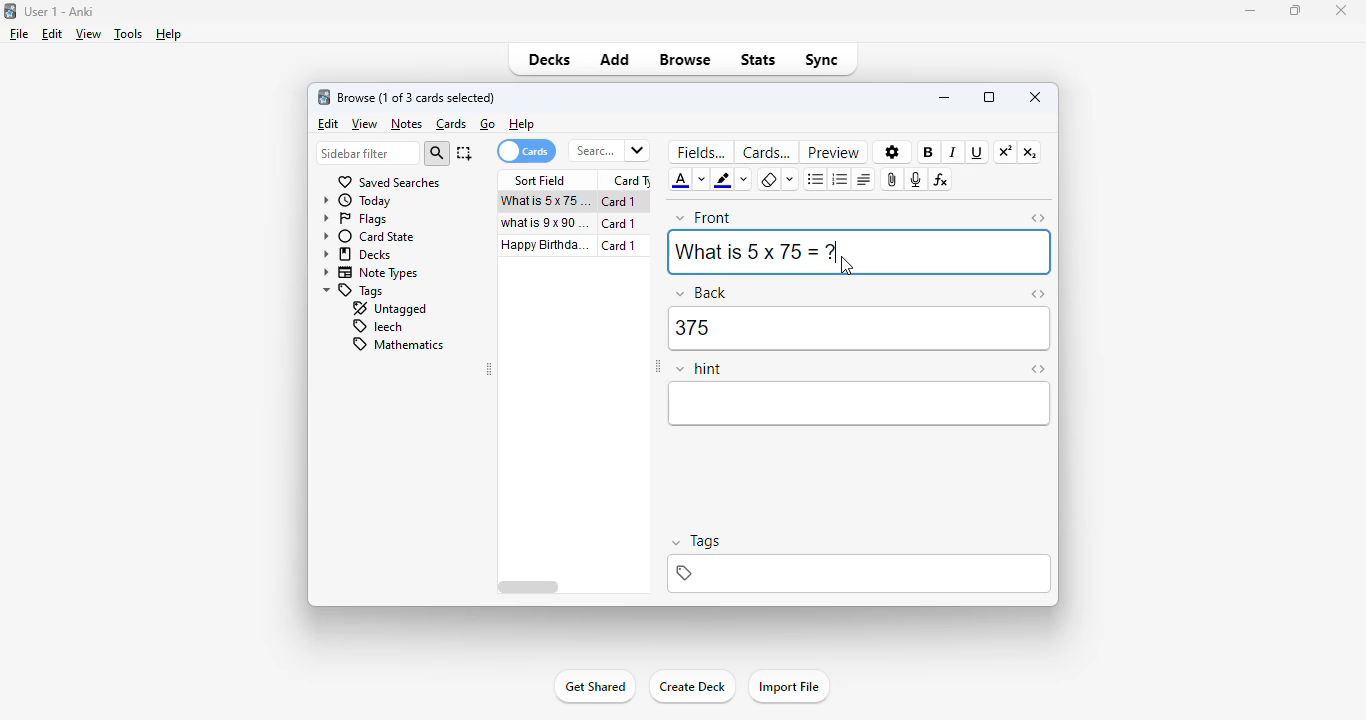  I want to click on import file, so click(789, 686).